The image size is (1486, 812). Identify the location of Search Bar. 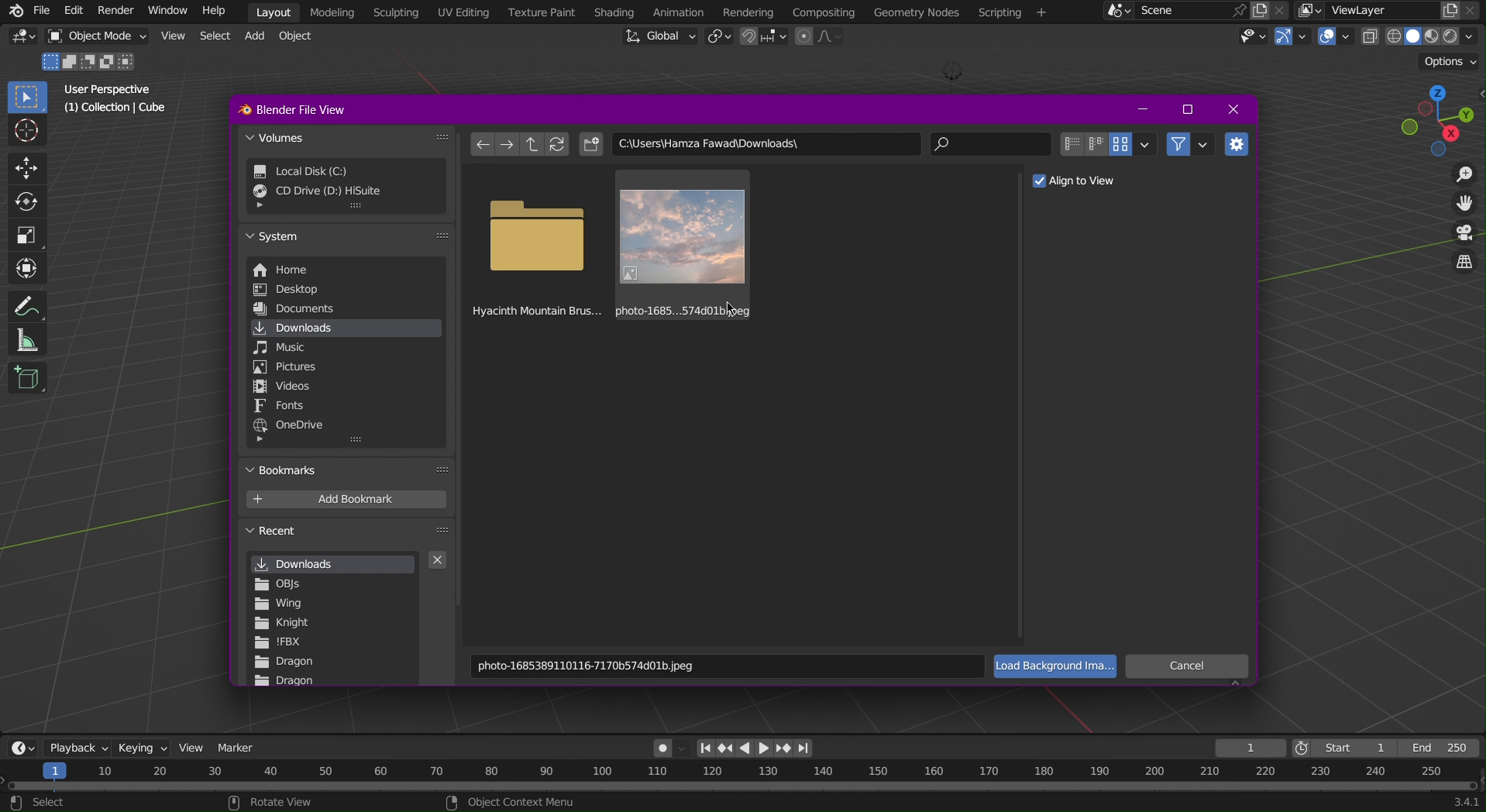
(994, 146).